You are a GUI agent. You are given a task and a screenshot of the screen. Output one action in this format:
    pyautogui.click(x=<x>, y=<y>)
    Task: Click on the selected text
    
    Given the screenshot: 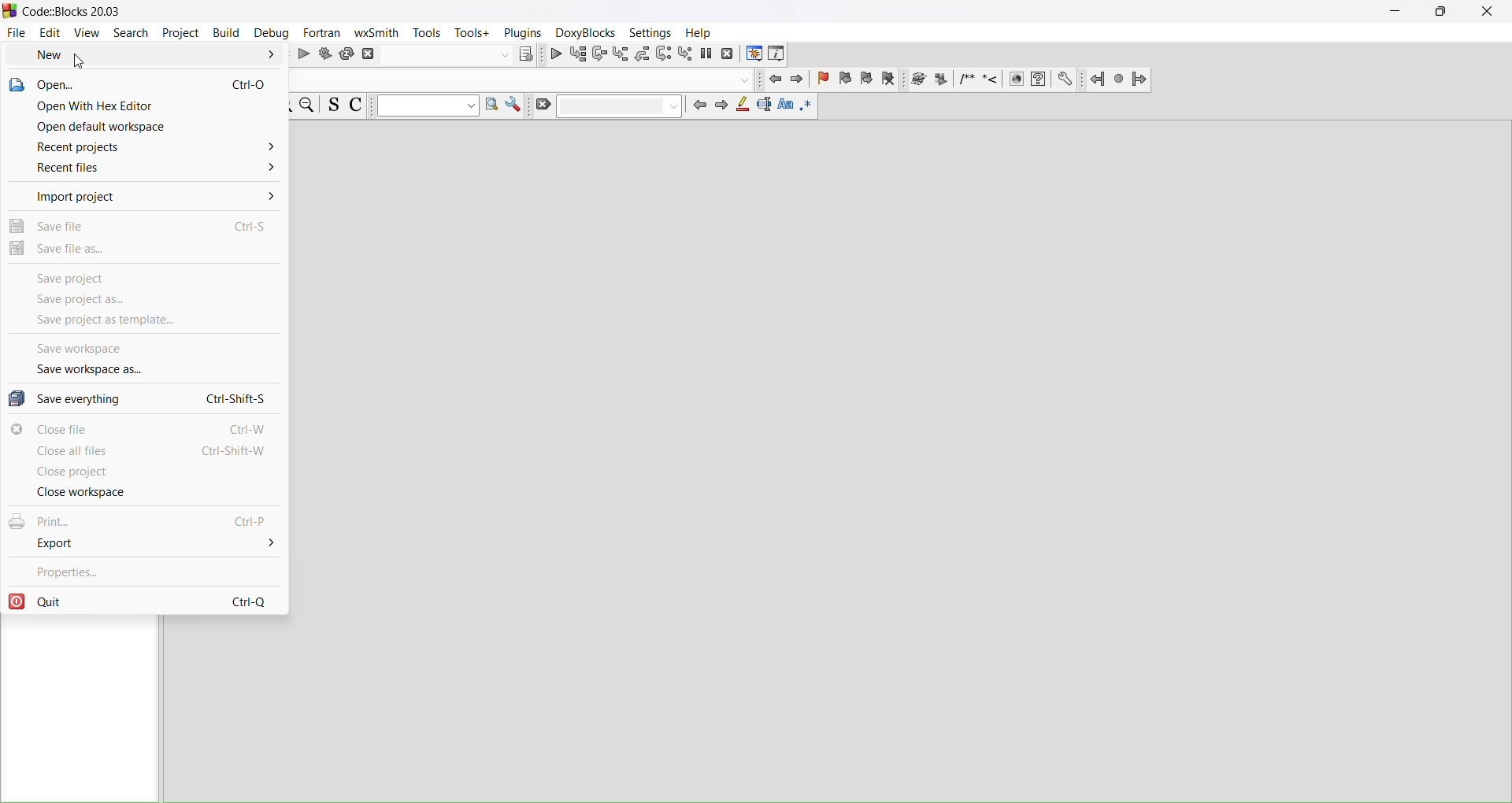 What is the action you would take?
    pyautogui.click(x=765, y=108)
    